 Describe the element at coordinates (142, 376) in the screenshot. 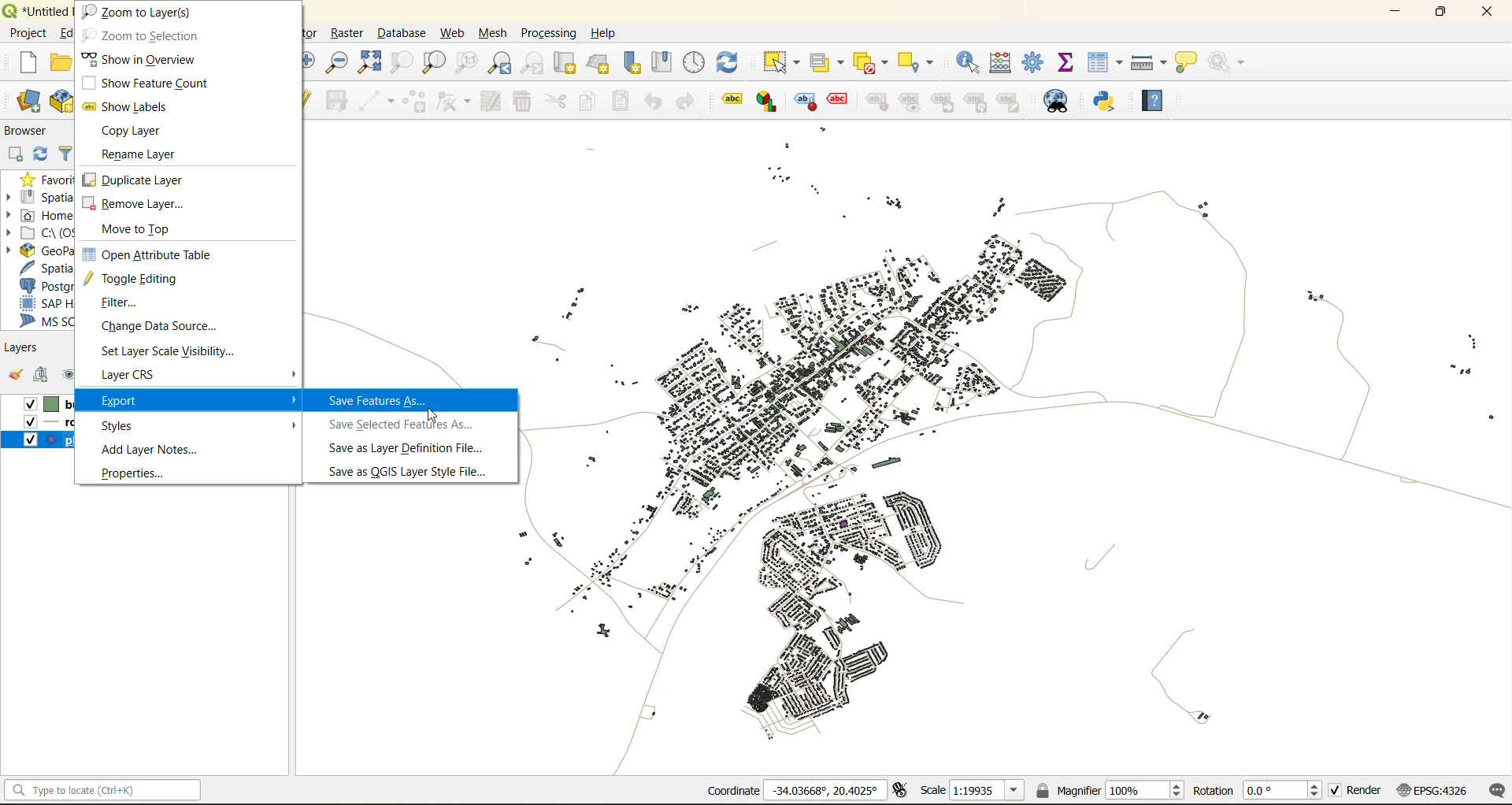

I see `layer crs` at that location.